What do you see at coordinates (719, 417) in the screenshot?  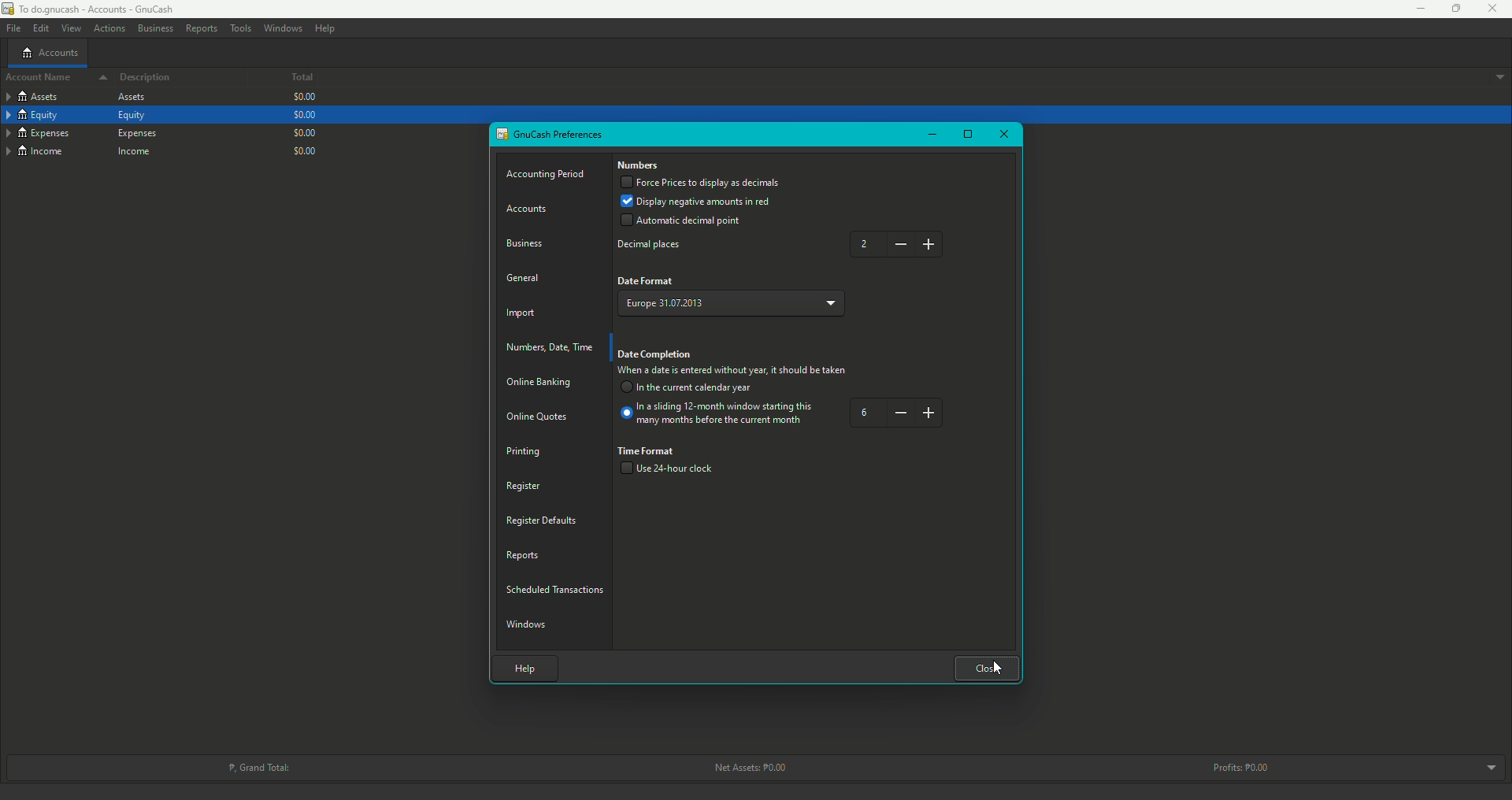 I see `In a sliding 12-month window` at bounding box center [719, 417].